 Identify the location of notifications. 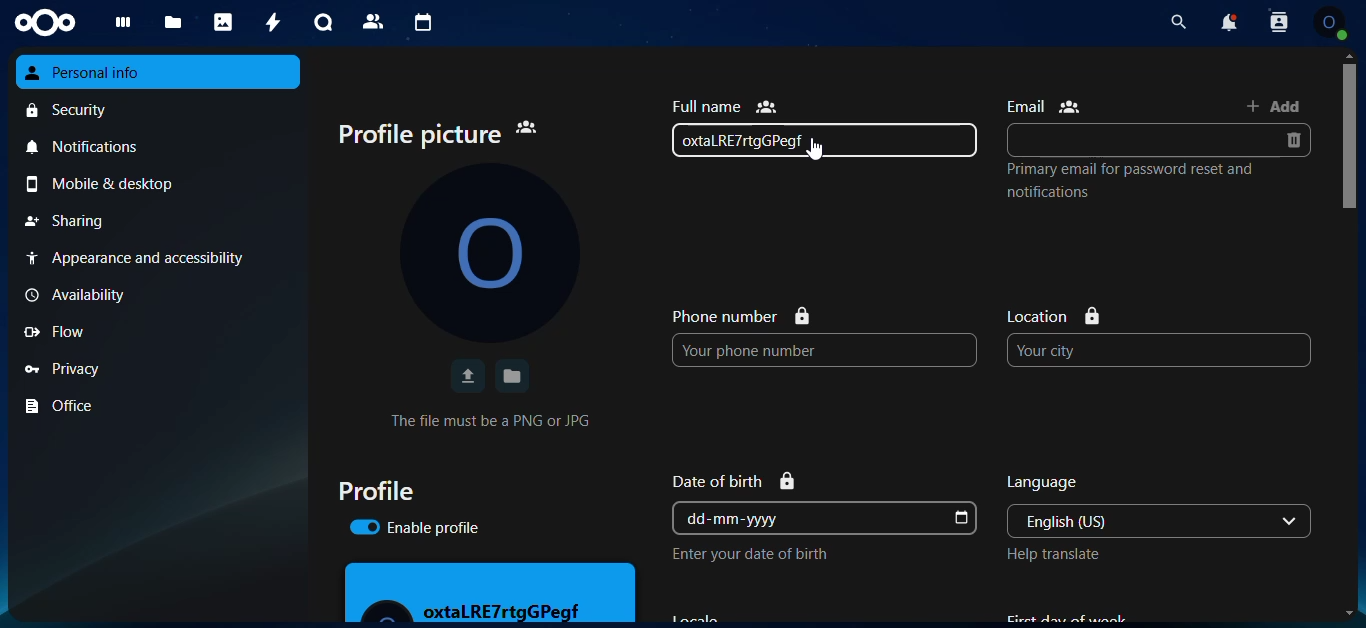
(160, 145).